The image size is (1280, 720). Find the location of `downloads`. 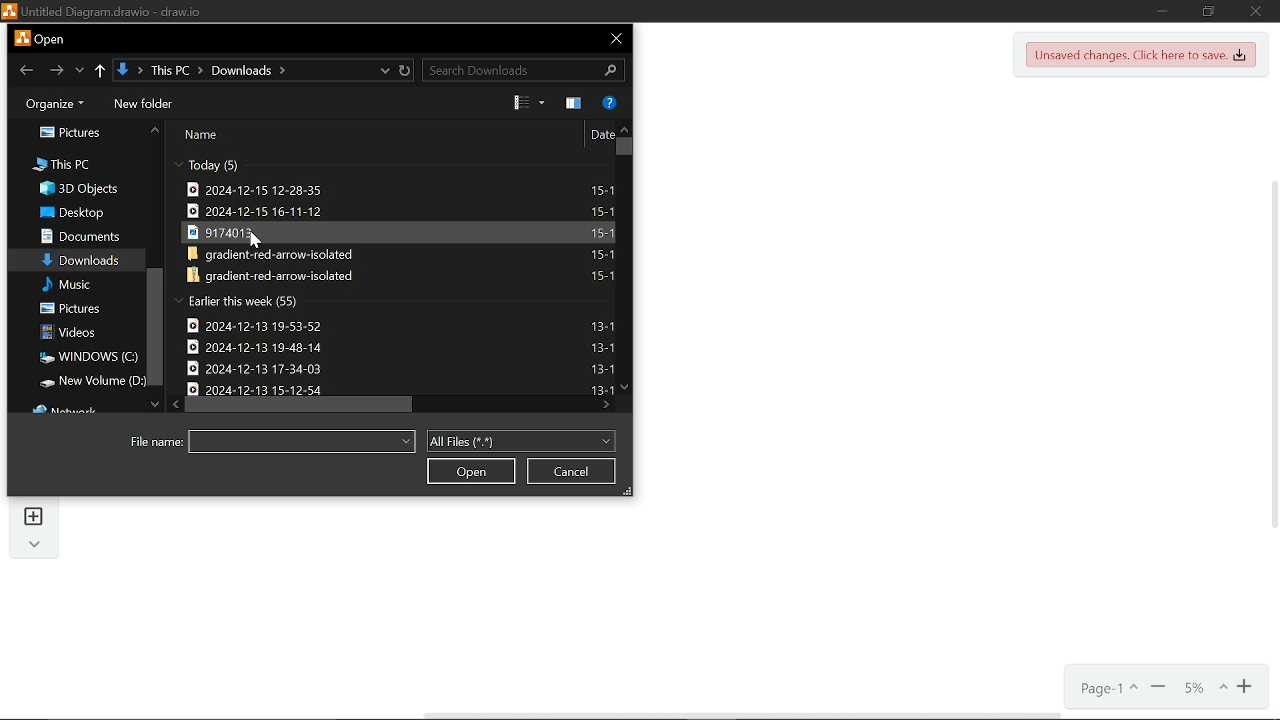

downloads is located at coordinates (82, 260).